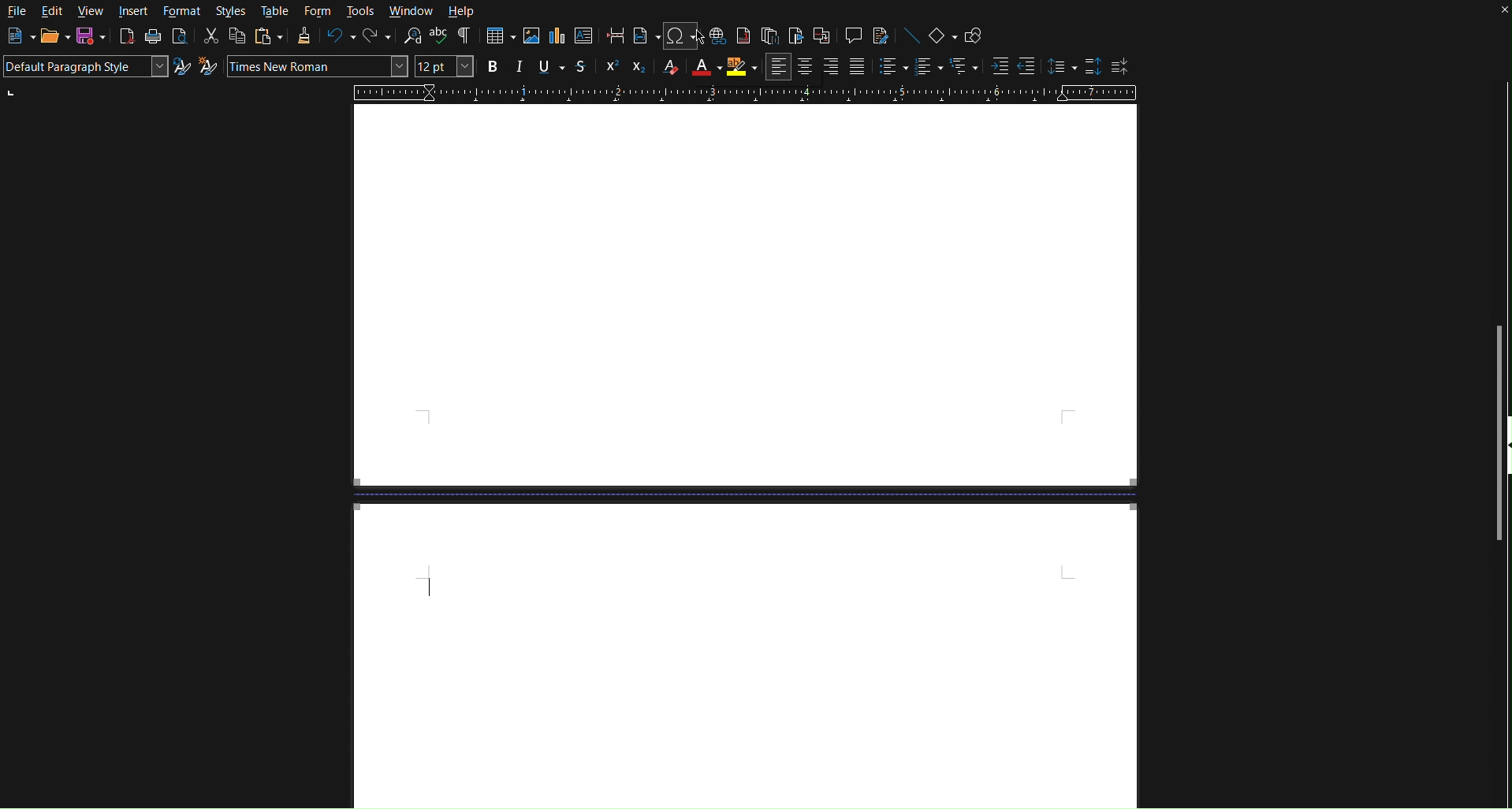  Describe the element at coordinates (1026, 66) in the screenshot. I see `Decrease Indent` at that location.